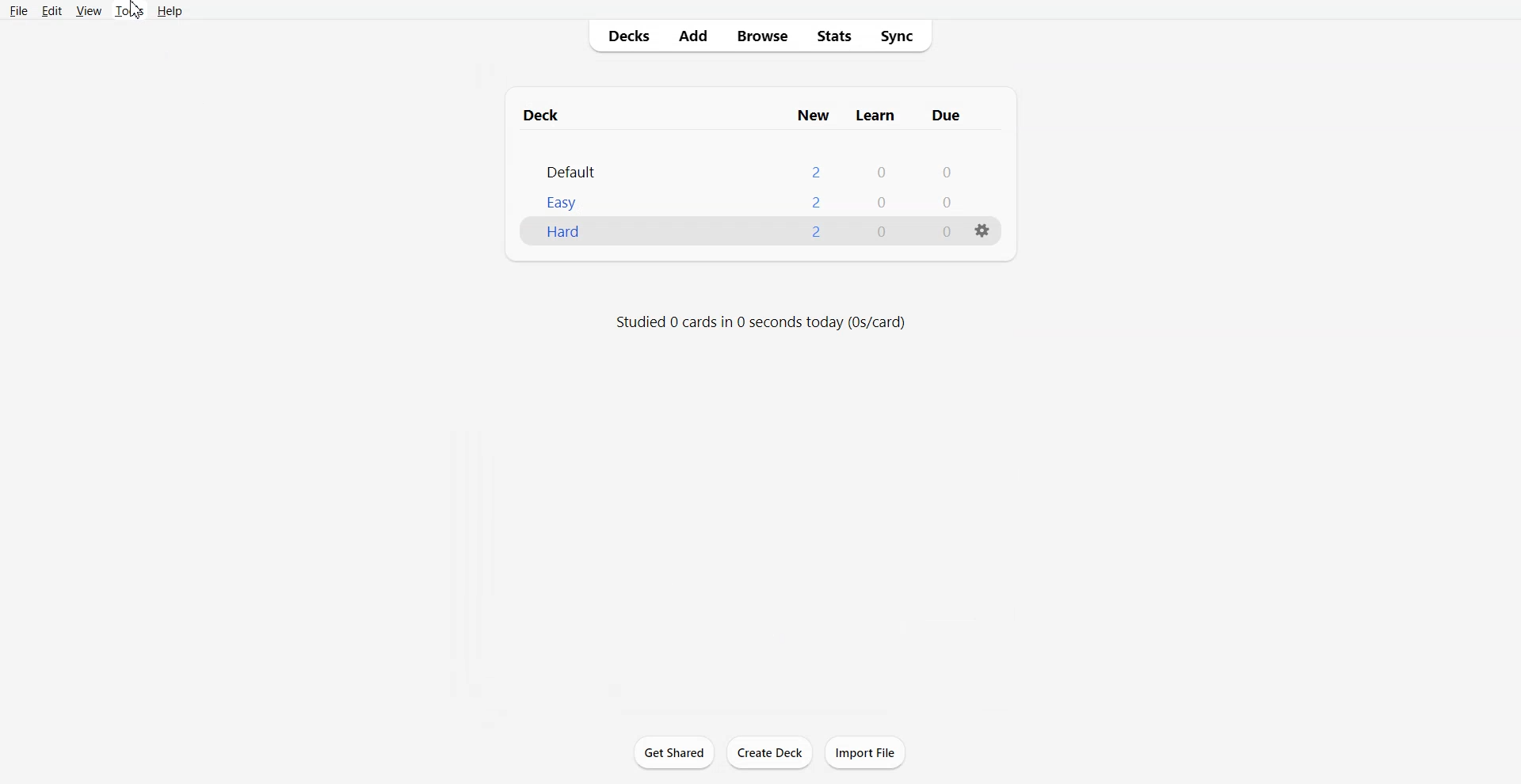 The height and width of the screenshot is (784, 1521). I want to click on File, so click(19, 10).